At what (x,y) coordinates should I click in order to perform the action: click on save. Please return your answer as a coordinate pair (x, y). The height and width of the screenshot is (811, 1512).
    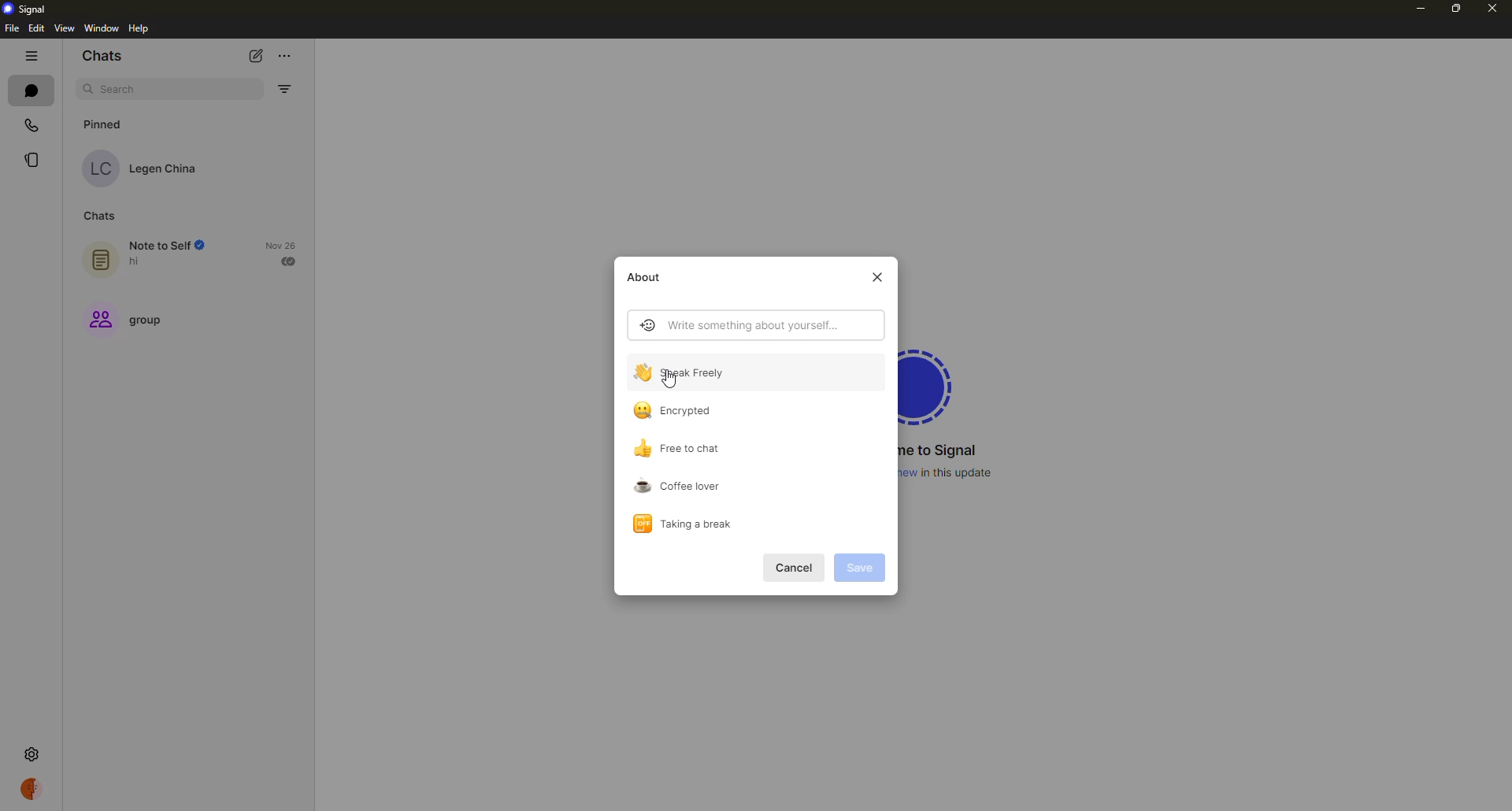
    Looking at the image, I should click on (860, 568).